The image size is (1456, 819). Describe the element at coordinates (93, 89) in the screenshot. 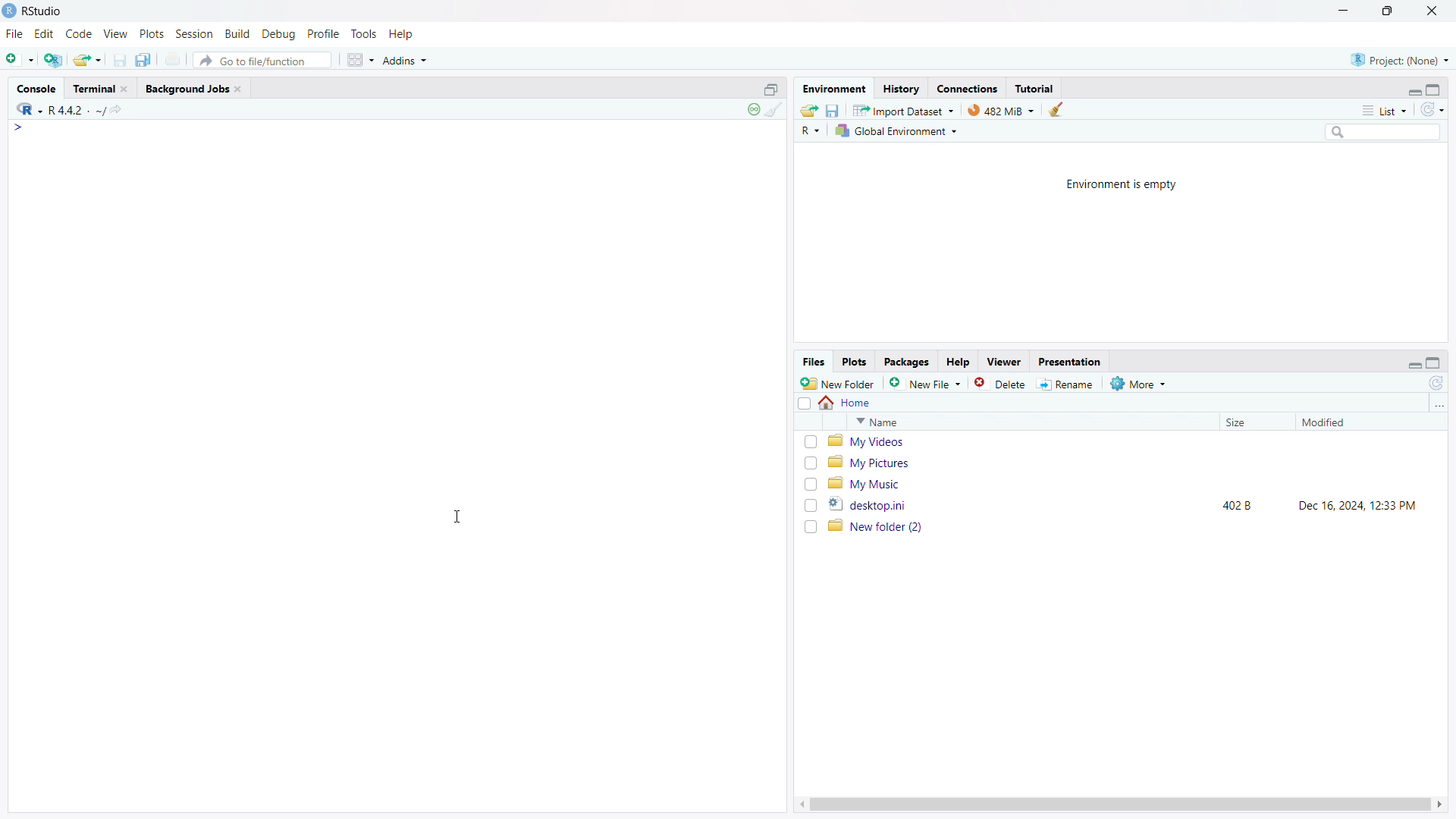

I see `terminal` at that location.